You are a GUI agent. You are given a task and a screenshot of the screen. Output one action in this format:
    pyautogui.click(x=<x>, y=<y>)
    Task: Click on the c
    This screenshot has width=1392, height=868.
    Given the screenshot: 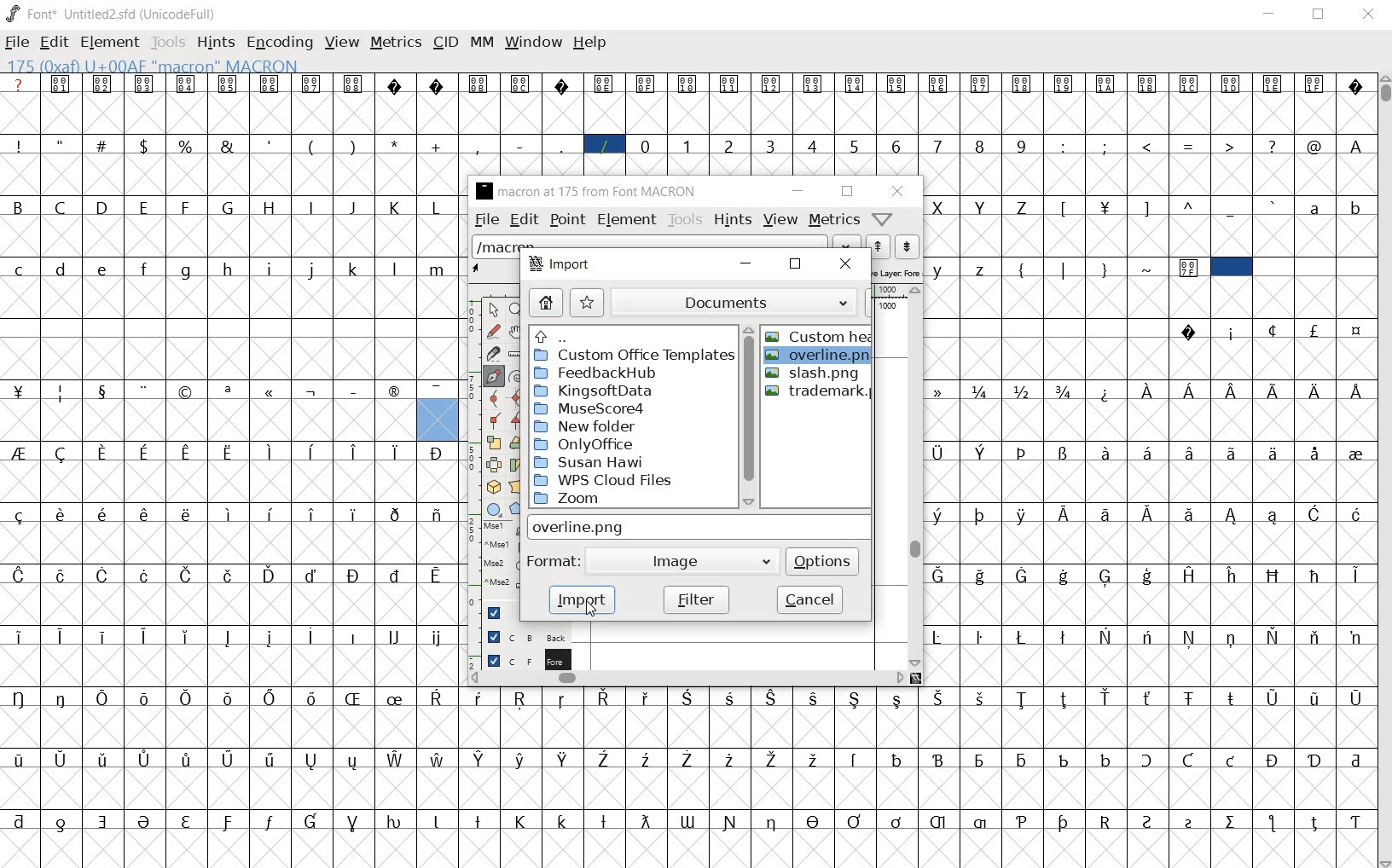 What is the action you would take?
    pyautogui.click(x=20, y=267)
    